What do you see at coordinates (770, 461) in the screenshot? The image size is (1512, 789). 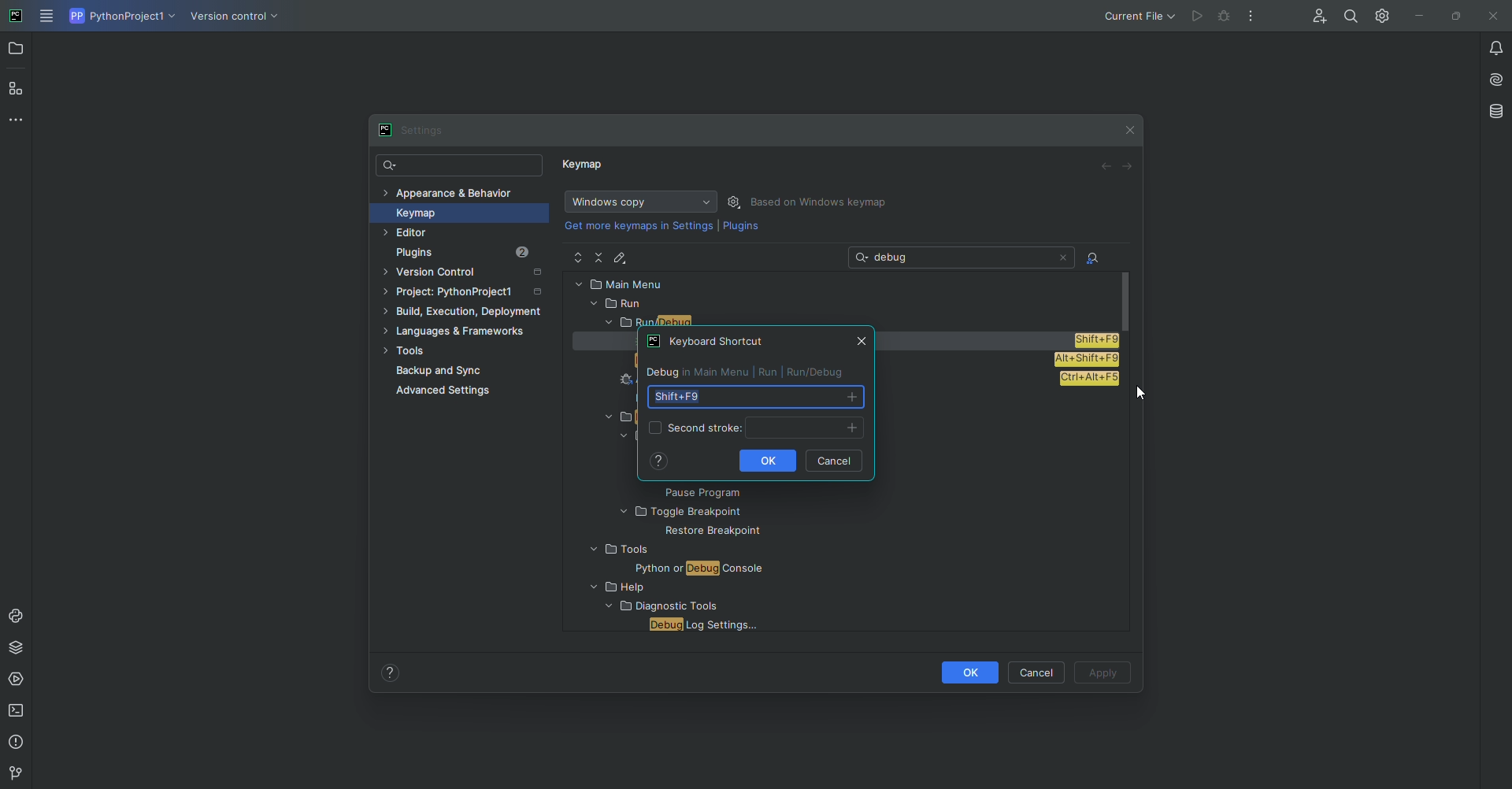 I see `Ok` at bounding box center [770, 461].